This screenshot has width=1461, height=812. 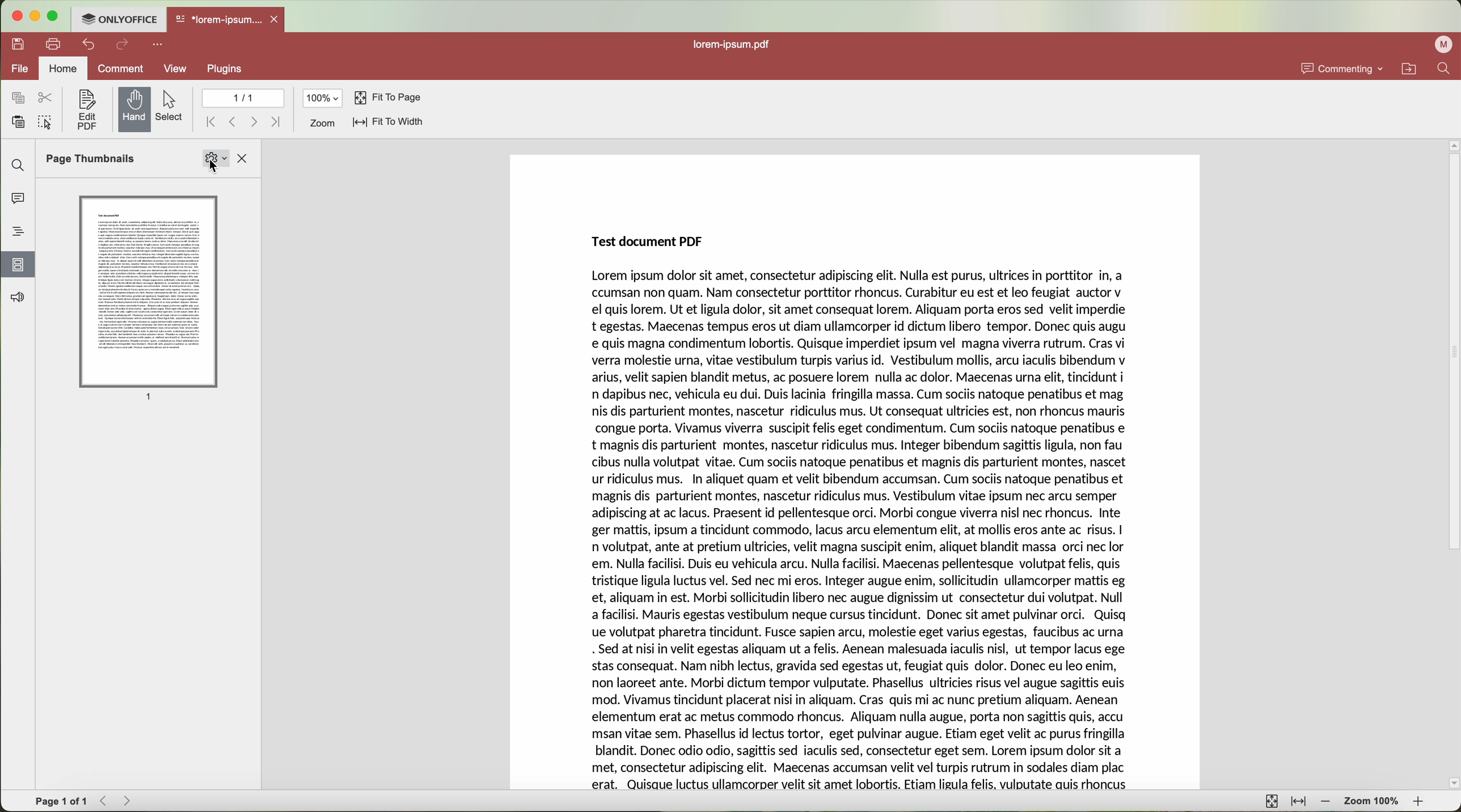 I want to click on open file location, so click(x=1409, y=69).